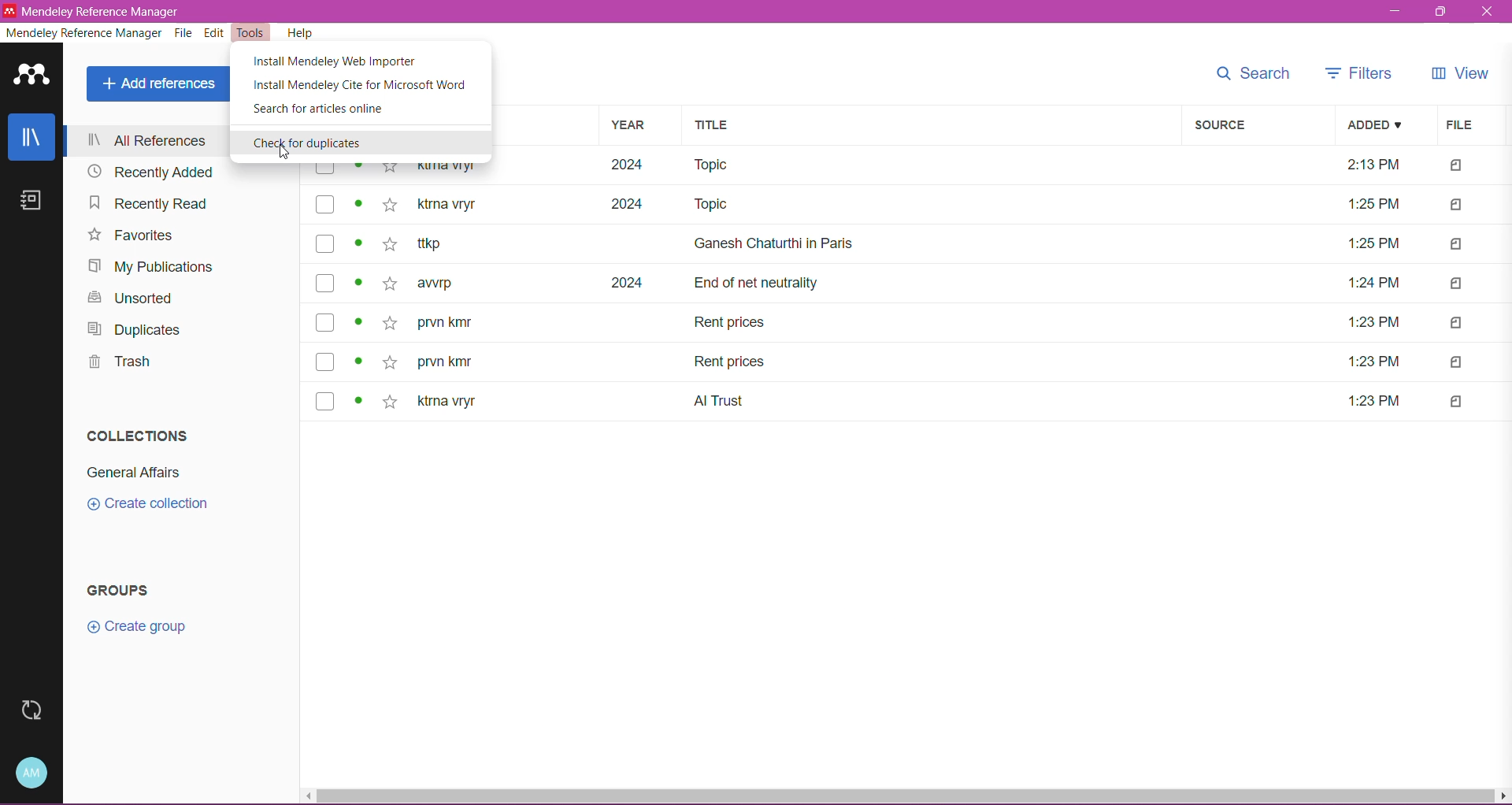 This screenshot has width=1512, height=805. Describe the element at coordinates (325, 205) in the screenshot. I see `checkbox` at that location.